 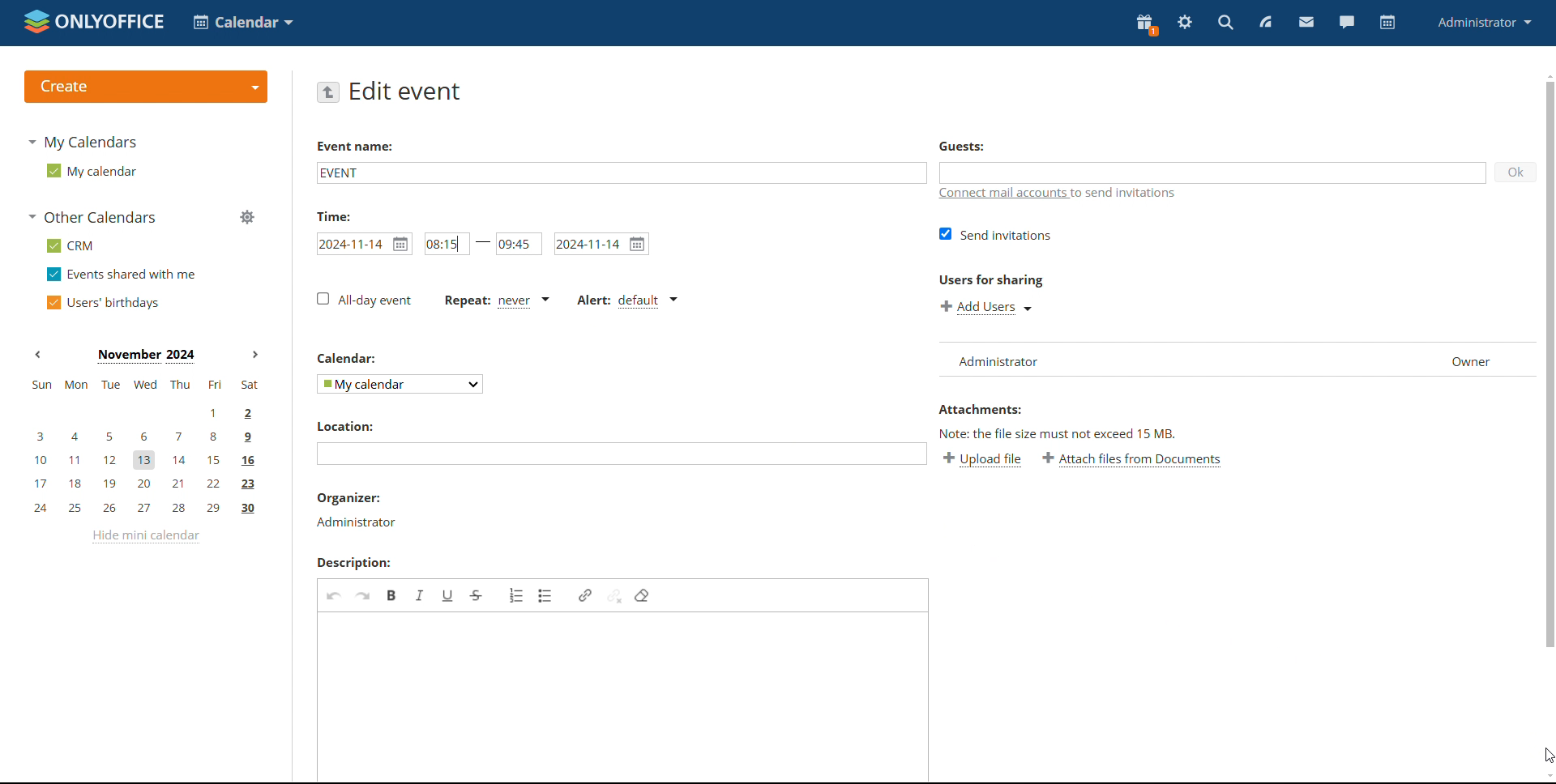 I want to click on administrator, so click(x=1486, y=23).